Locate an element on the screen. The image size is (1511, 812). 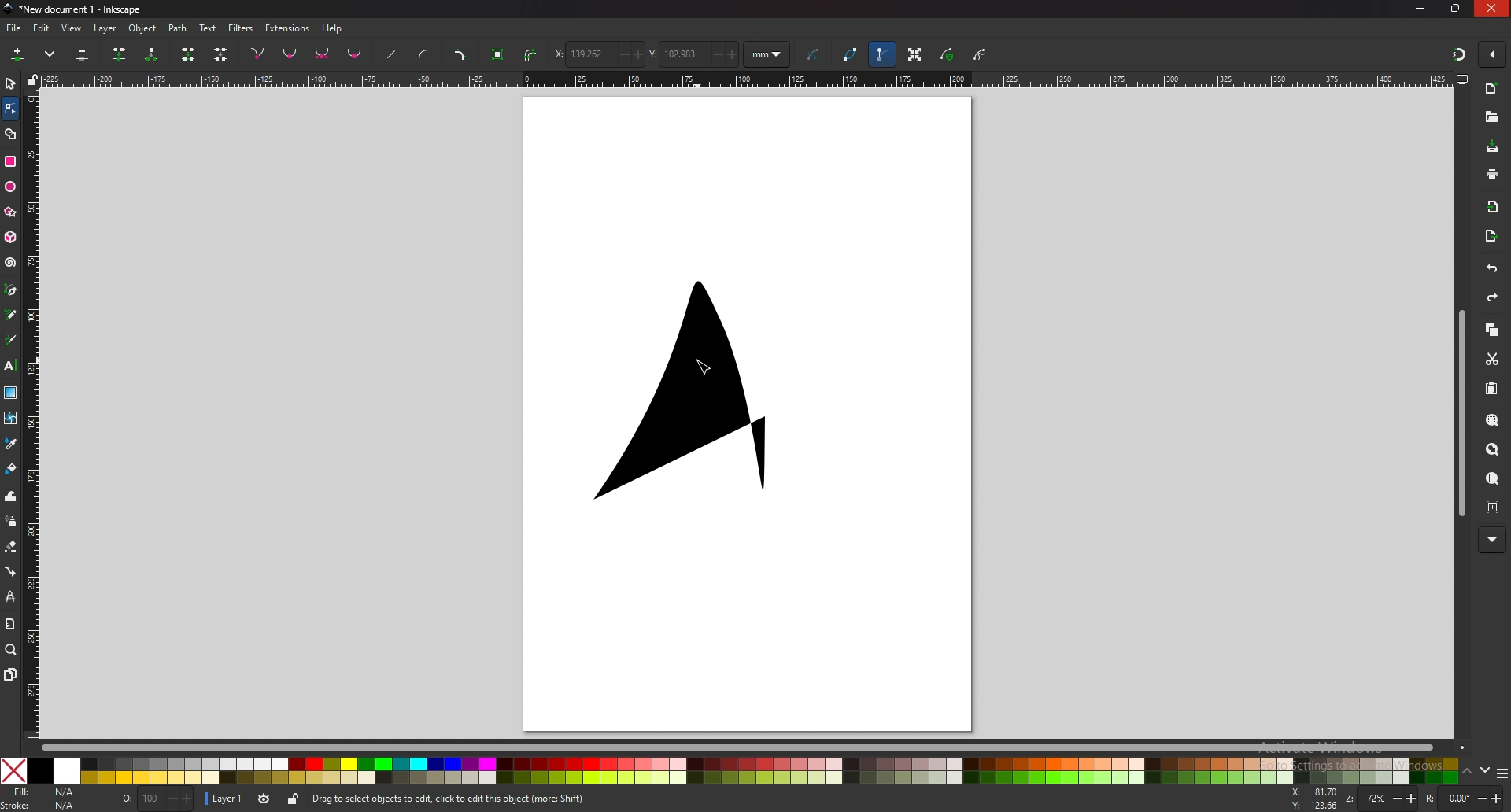
view is located at coordinates (72, 29).